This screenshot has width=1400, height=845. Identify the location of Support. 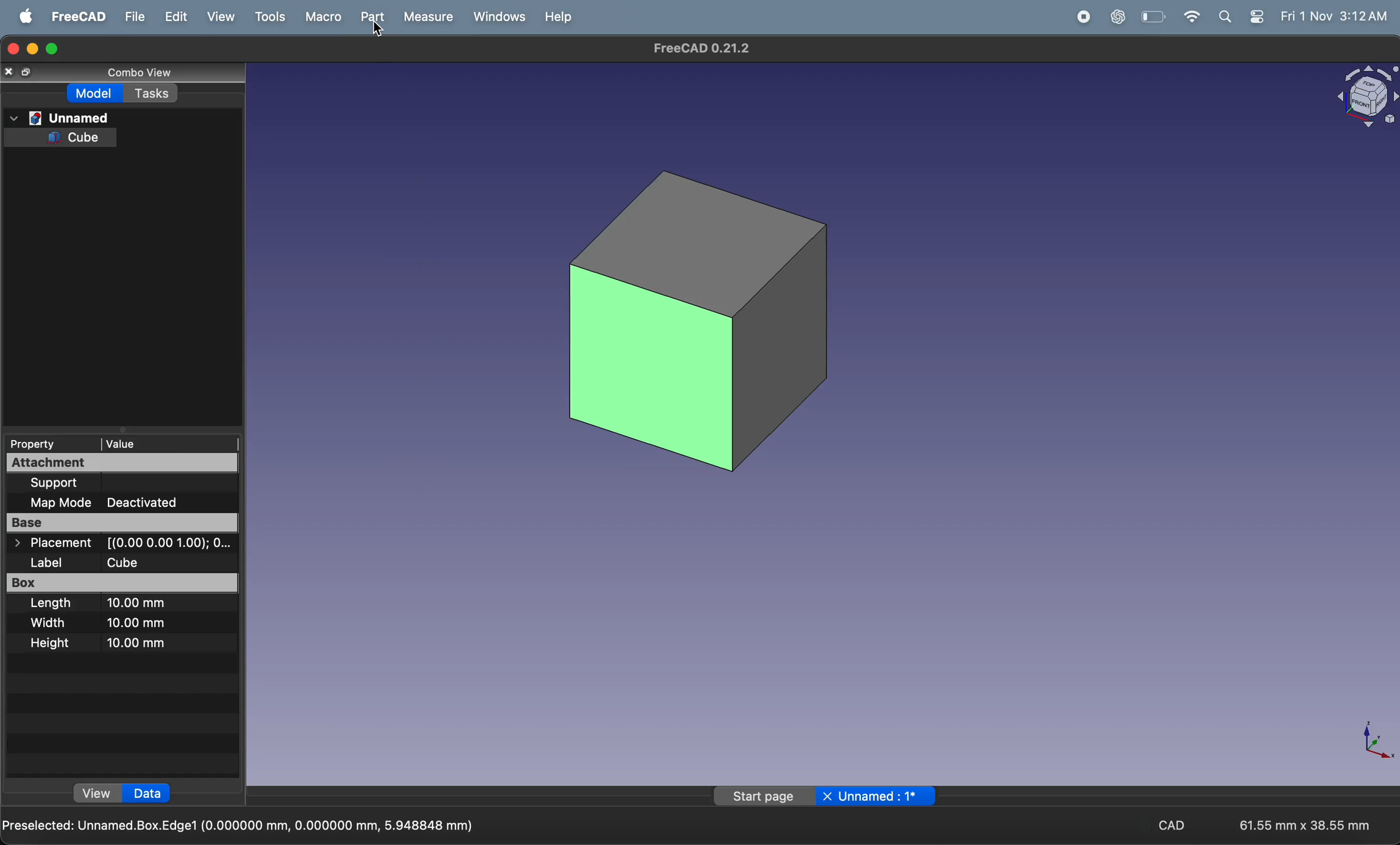
(81, 483).